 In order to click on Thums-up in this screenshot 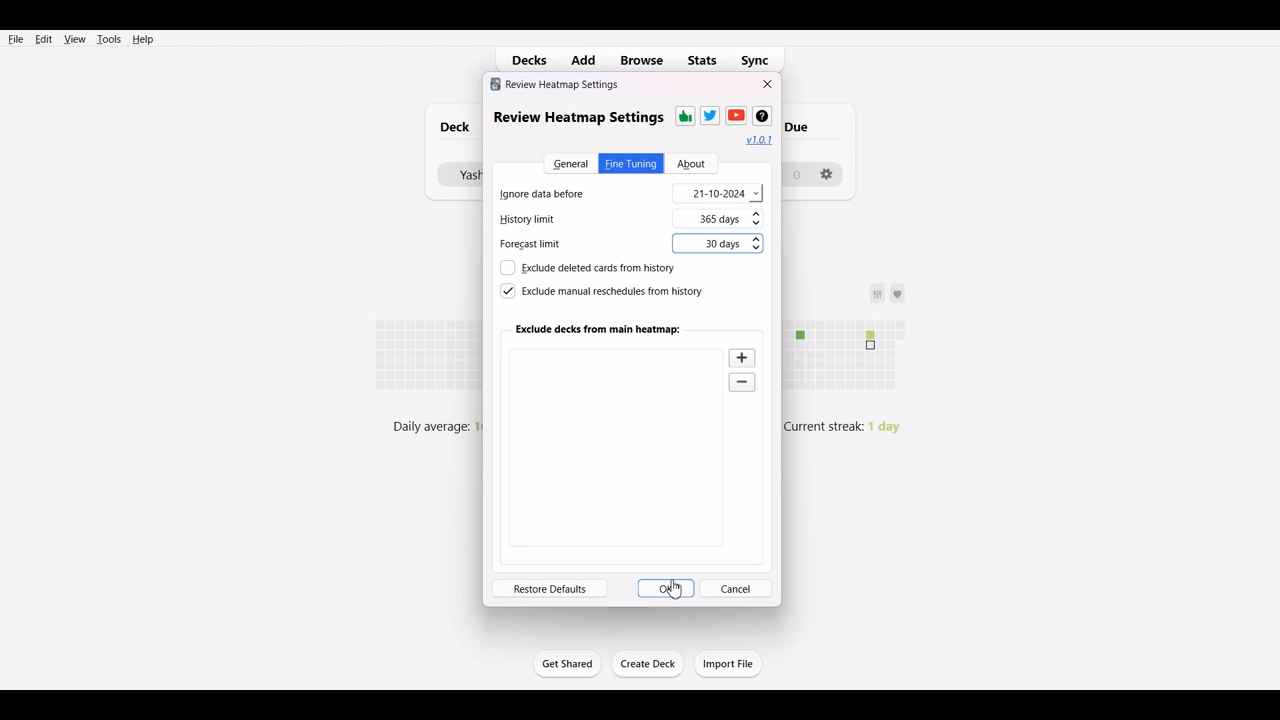, I will do `click(684, 116)`.